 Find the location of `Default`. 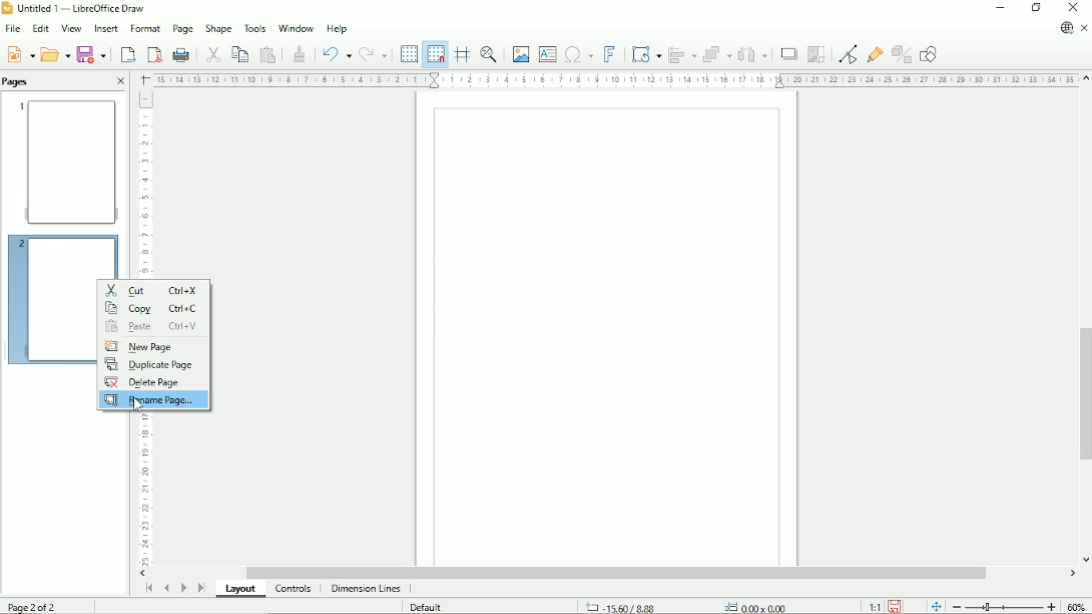

Default is located at coordinates (428, 607).